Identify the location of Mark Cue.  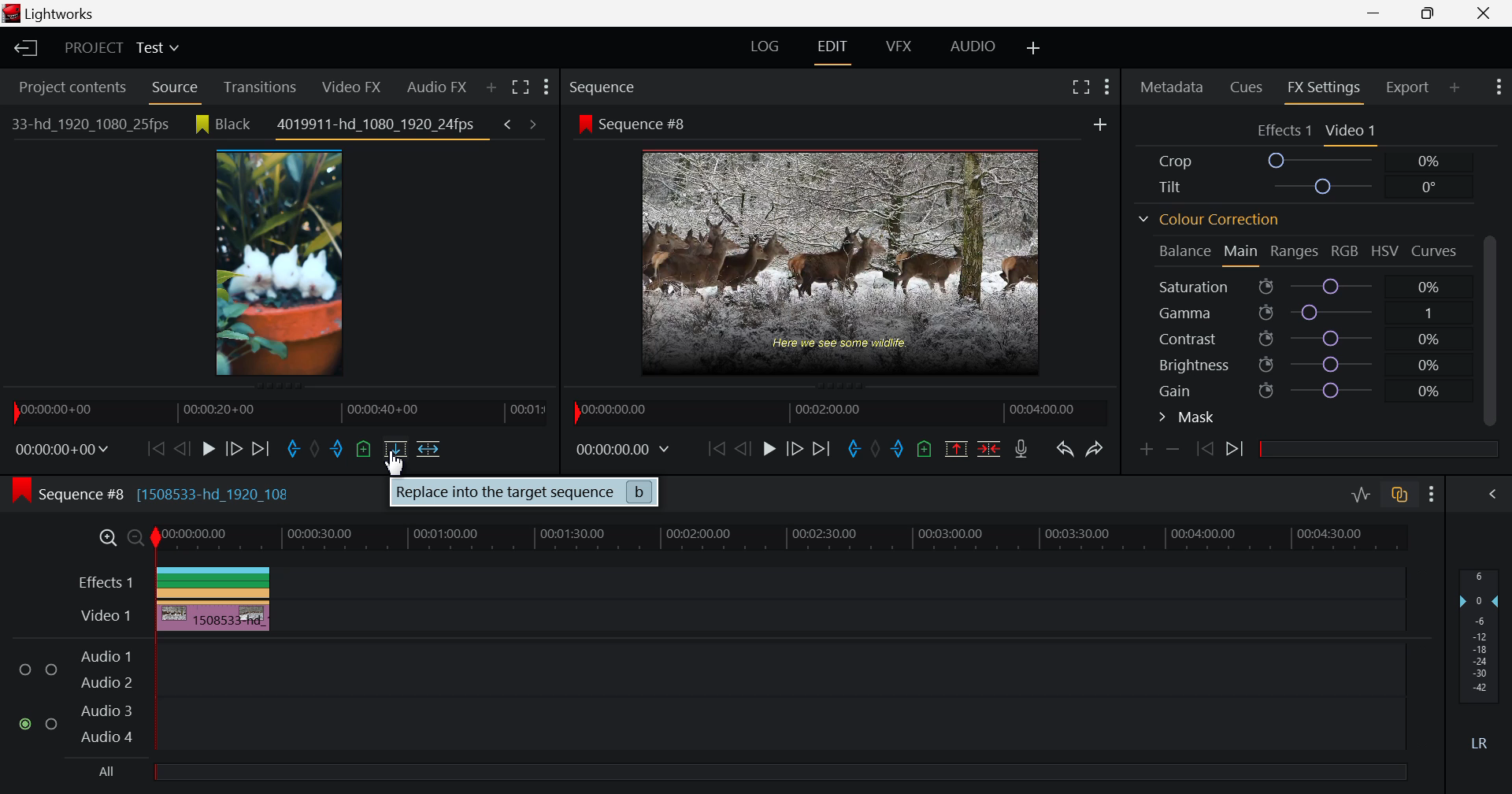
(927, 450).